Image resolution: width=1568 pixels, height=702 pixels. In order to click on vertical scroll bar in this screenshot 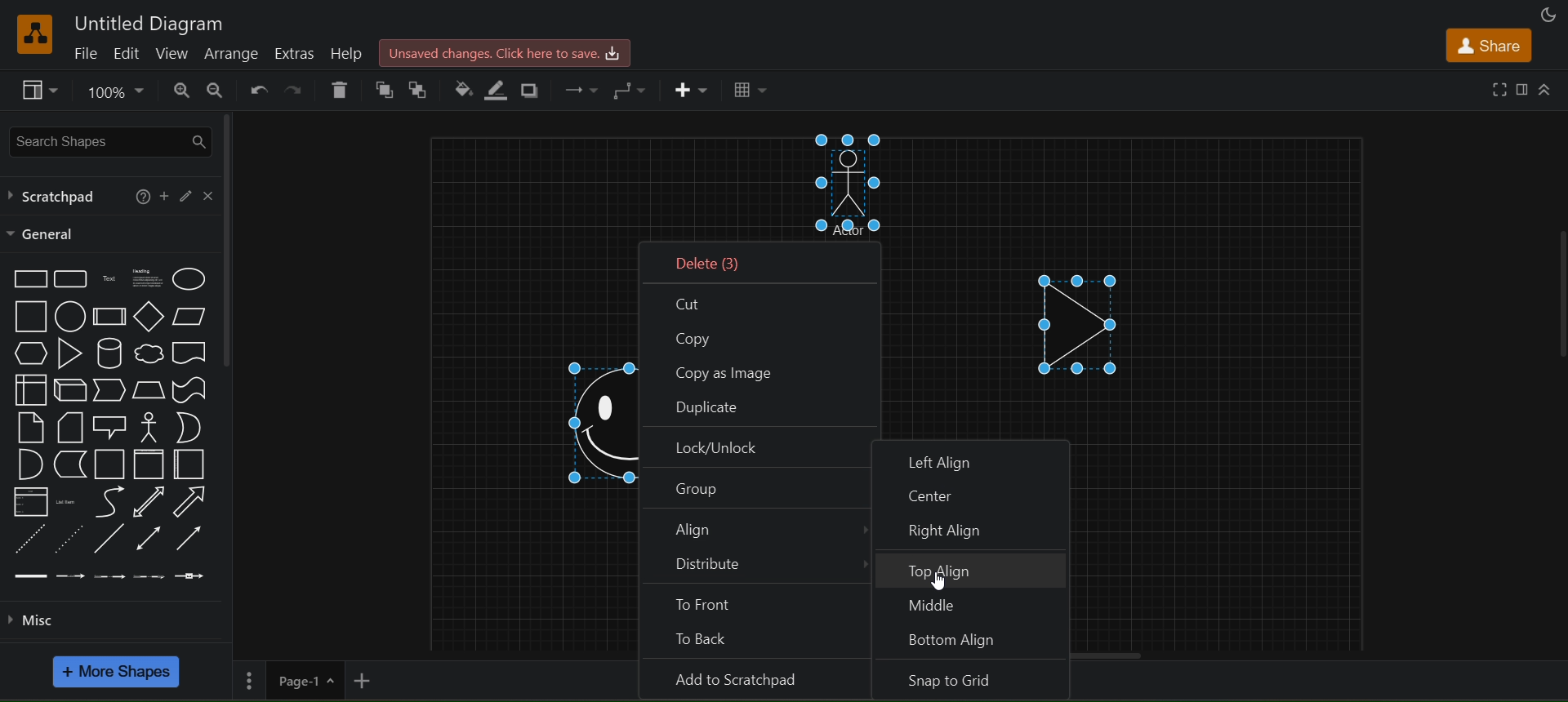, I will do `click(231, 238)`.